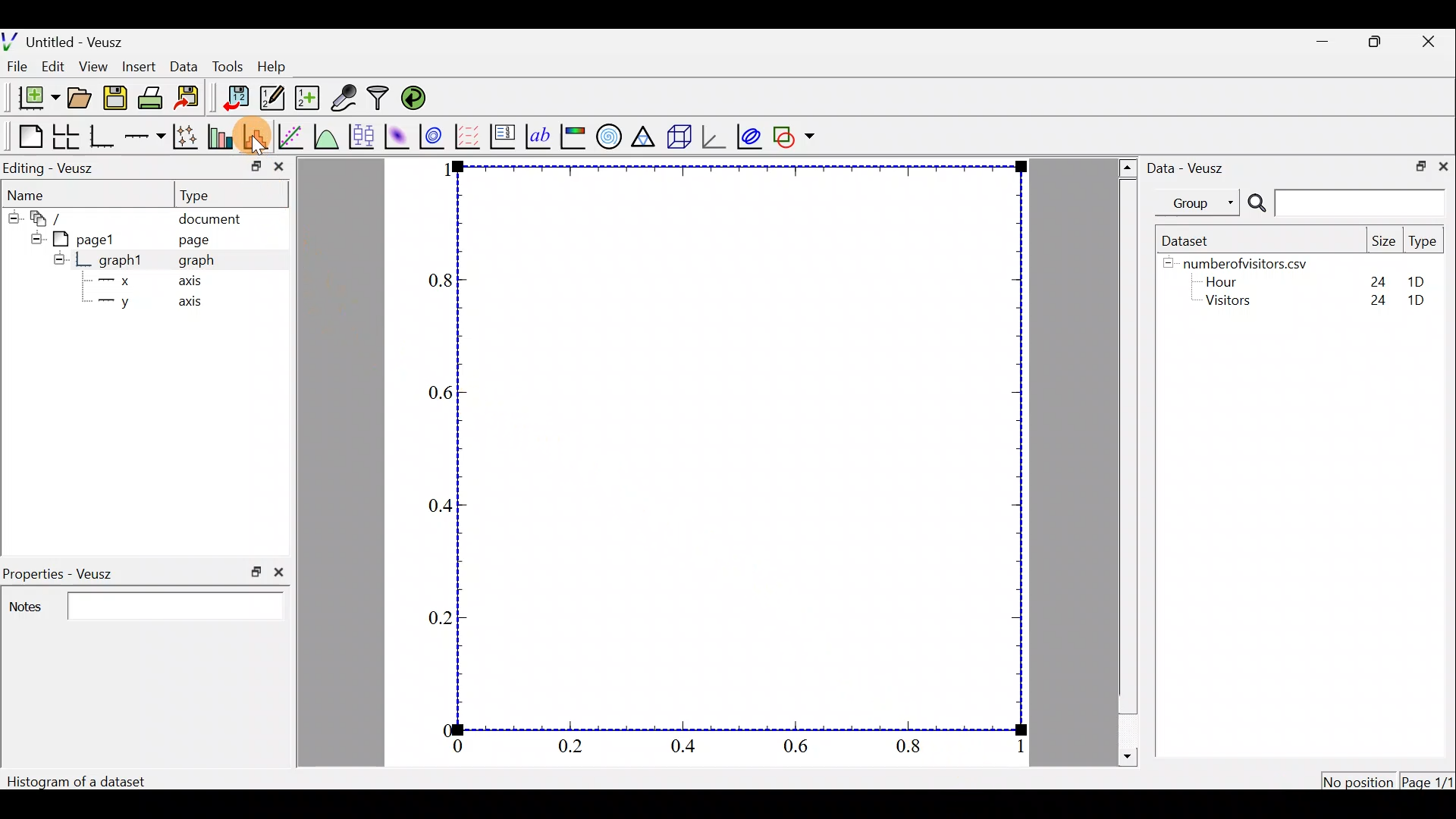 This screenshot has width=1456, height=819. I want to click on import data into Veusz, so click(231, 97).